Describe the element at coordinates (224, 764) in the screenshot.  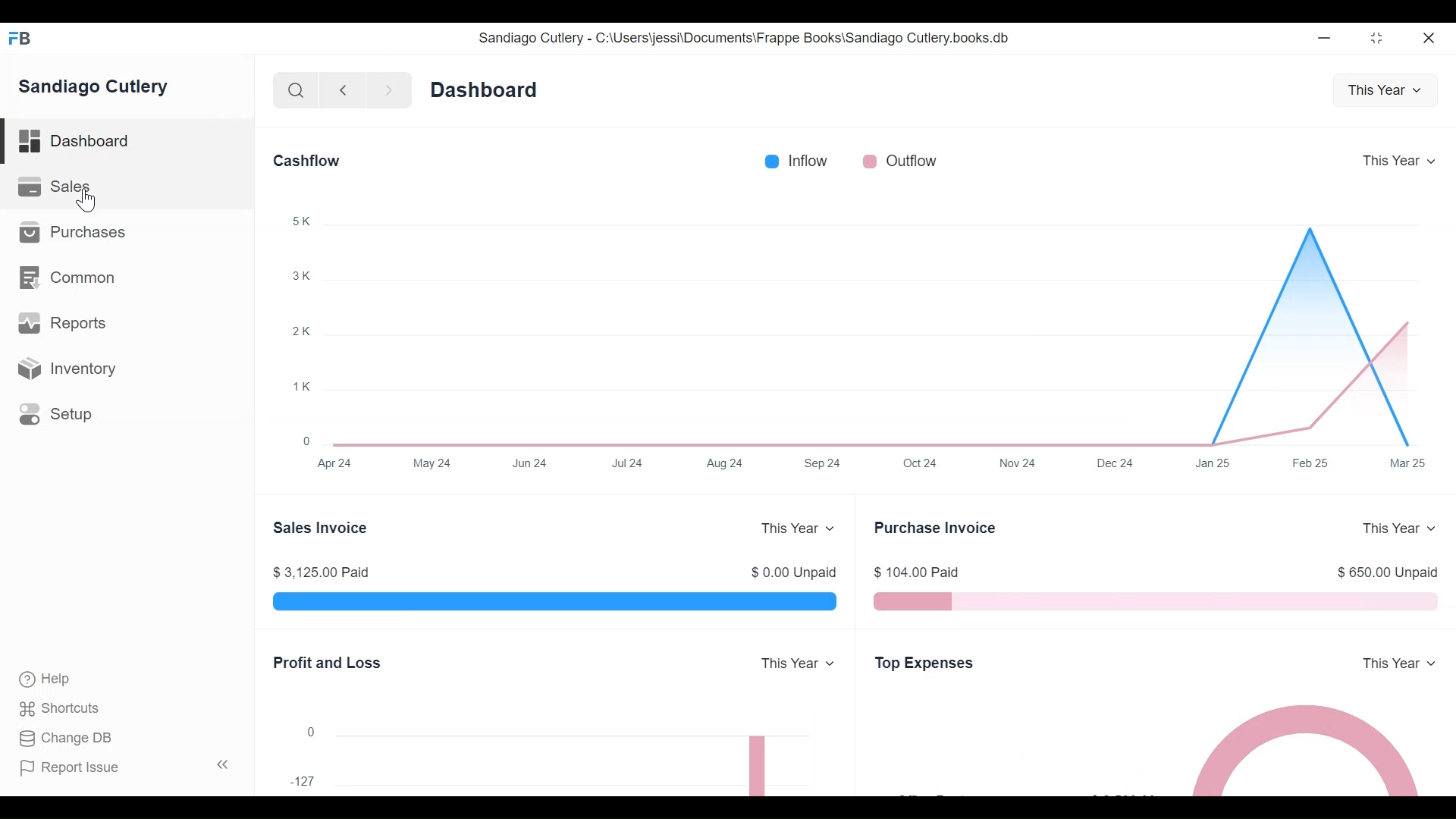
I see `Hide sidebar` at that location.